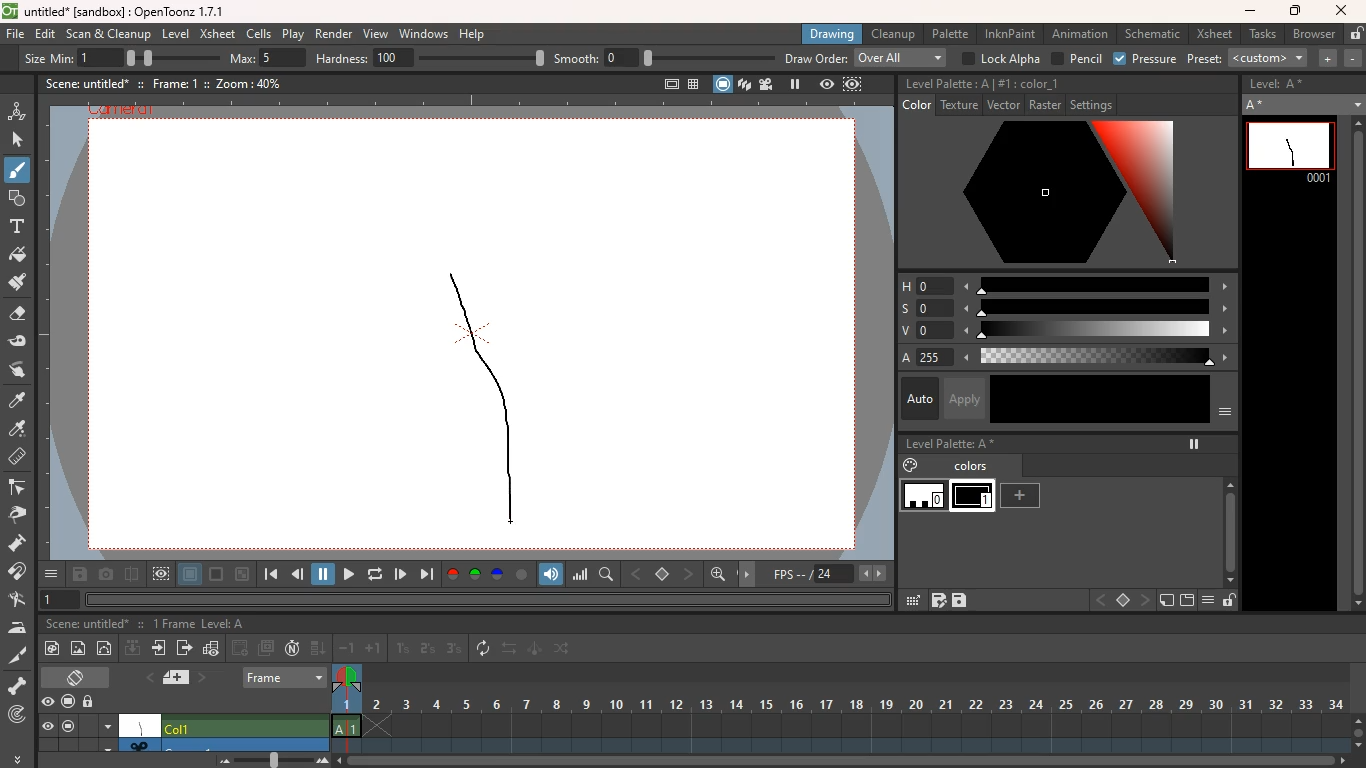 This screenshot has width=1366, height=768. I want to click on full screen, so click(663, 82).